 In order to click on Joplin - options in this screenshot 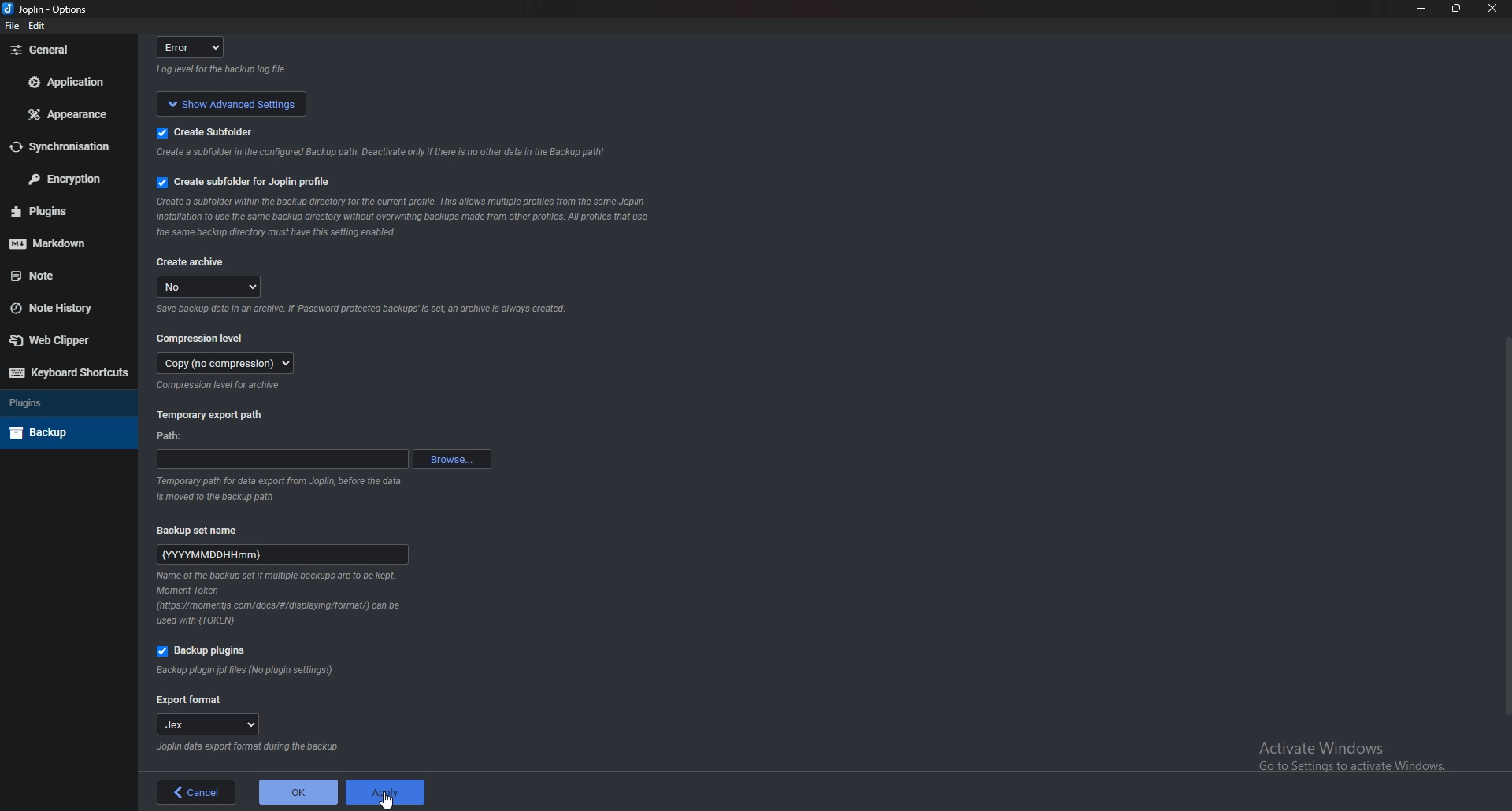, I will do `click(48, 10)`.